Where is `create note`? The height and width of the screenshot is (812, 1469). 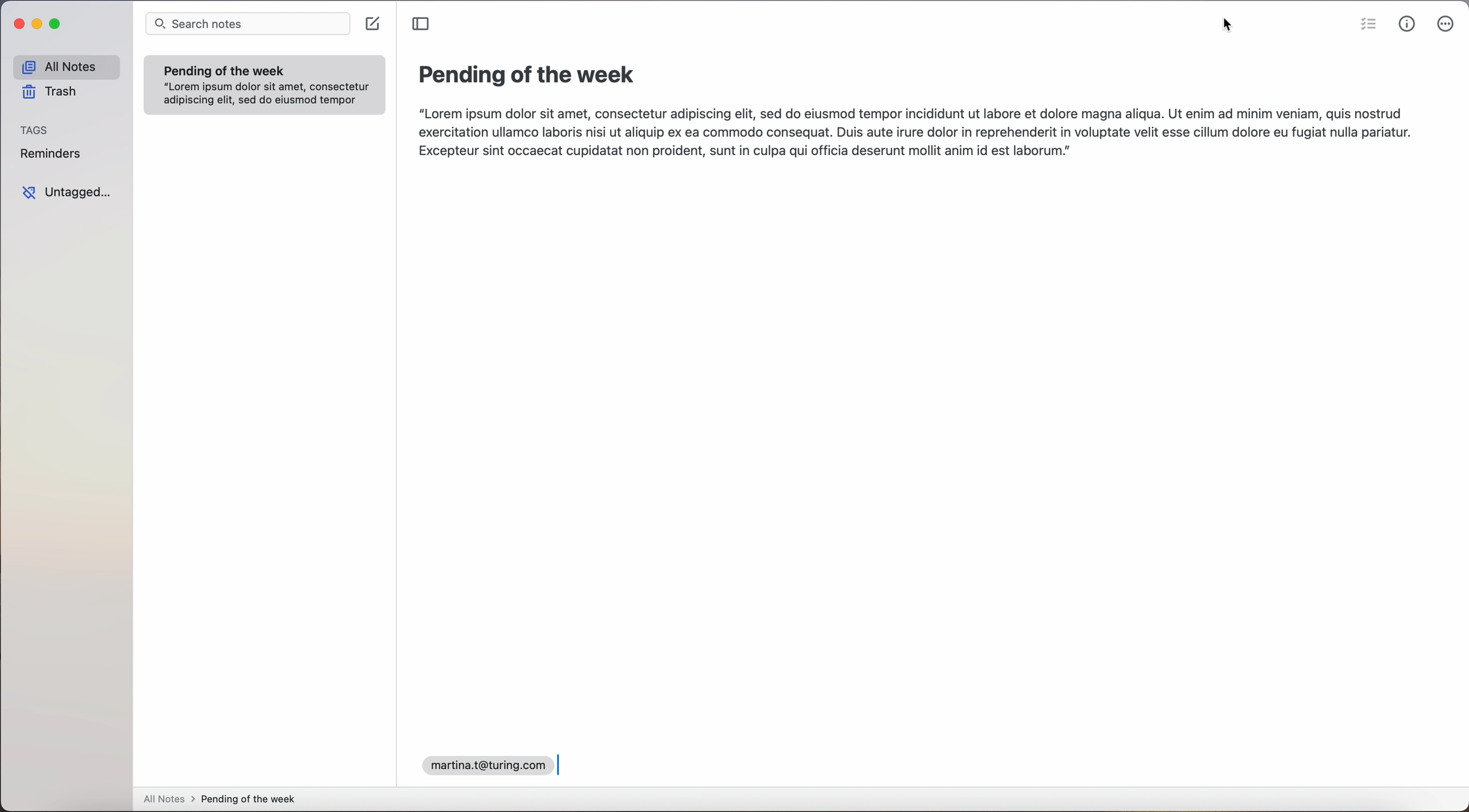 create note is located at coordinates (375, 24).